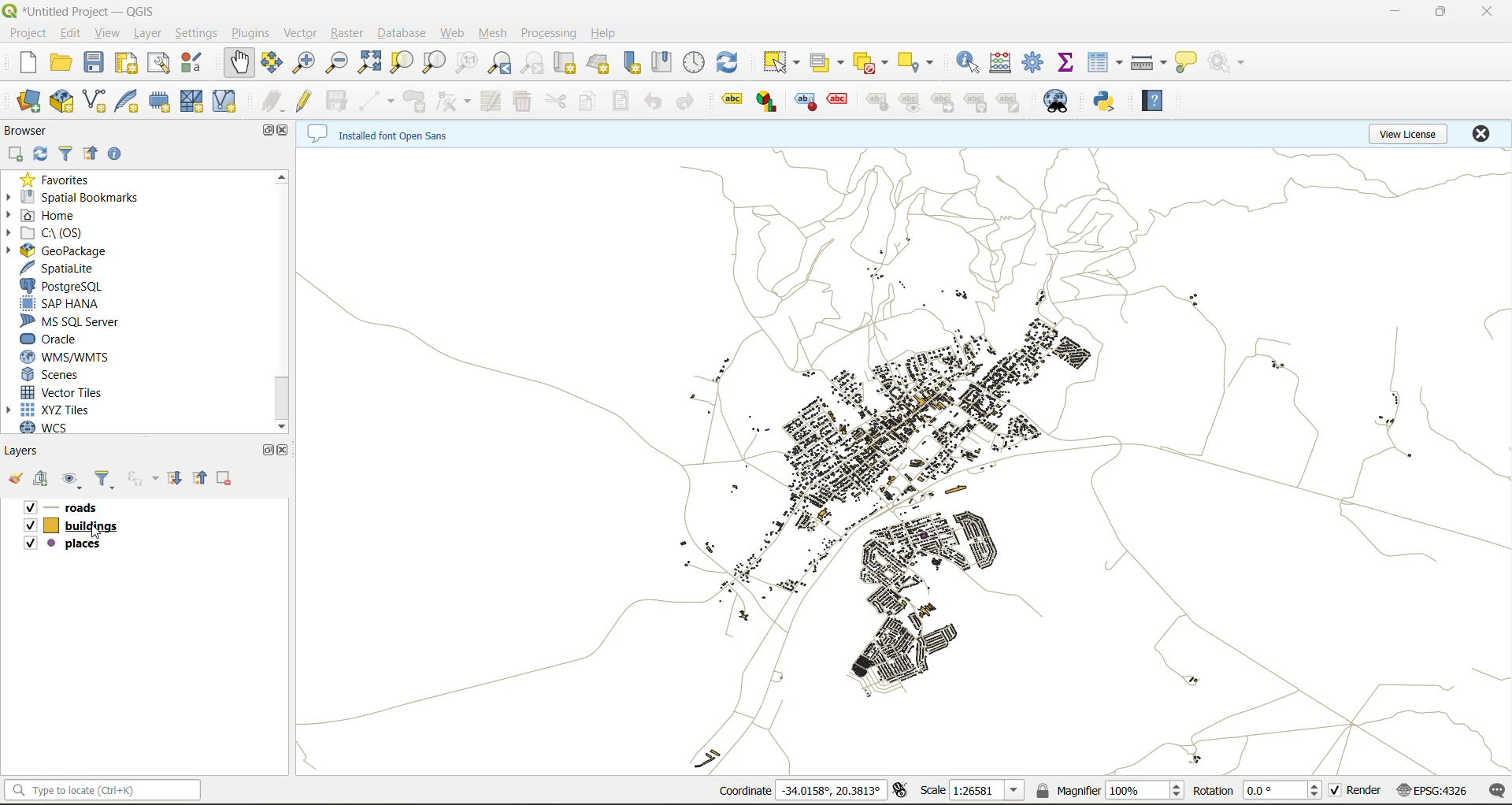 Image resolution: width=1512 pixels, height=805 pixels. What do you see at coordinates (274, 63) in the screenshot?
I see `pan to selection` at bounding box center [274, 63].